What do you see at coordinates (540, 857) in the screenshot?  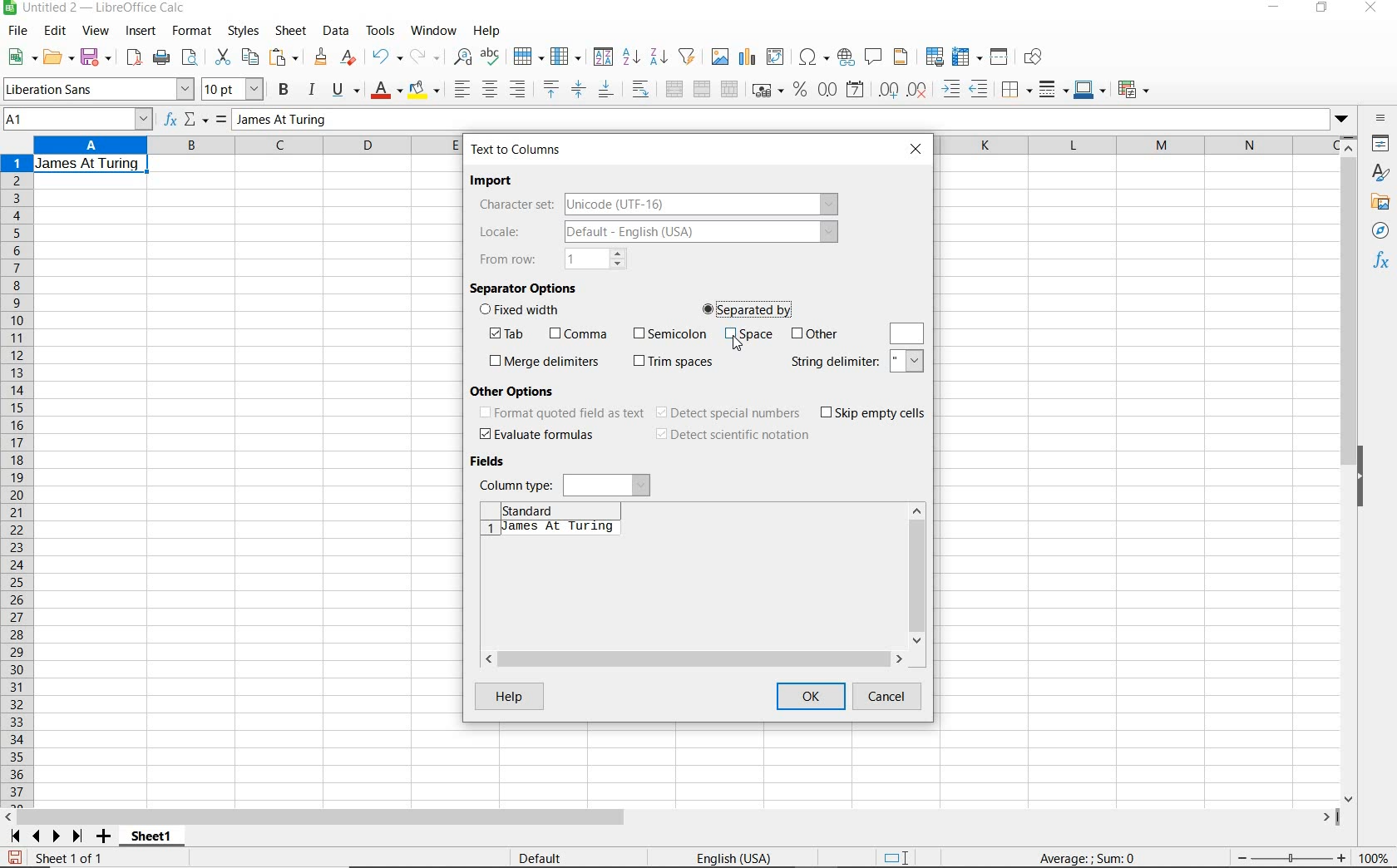 I see `default` at bounding box center [540, 857].